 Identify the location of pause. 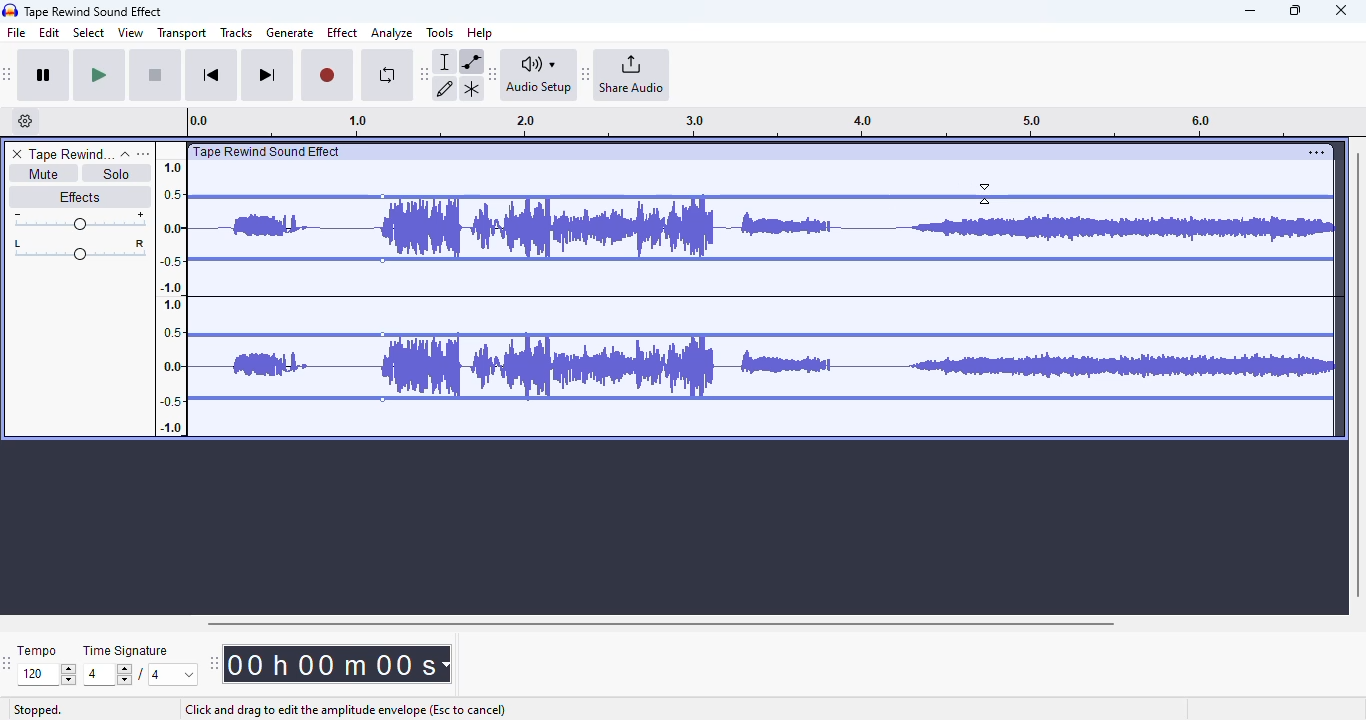
(44, 76).